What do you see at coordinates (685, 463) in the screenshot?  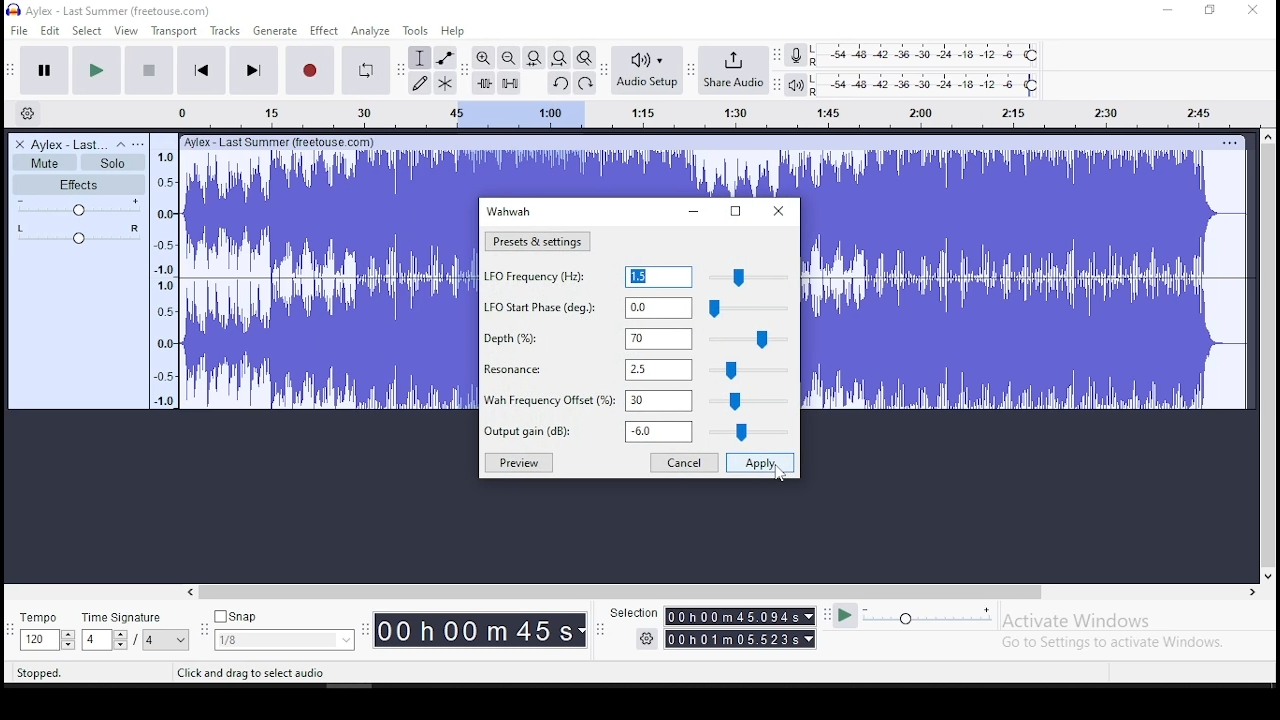 I see `cancel` at bounding box center [685, 463].